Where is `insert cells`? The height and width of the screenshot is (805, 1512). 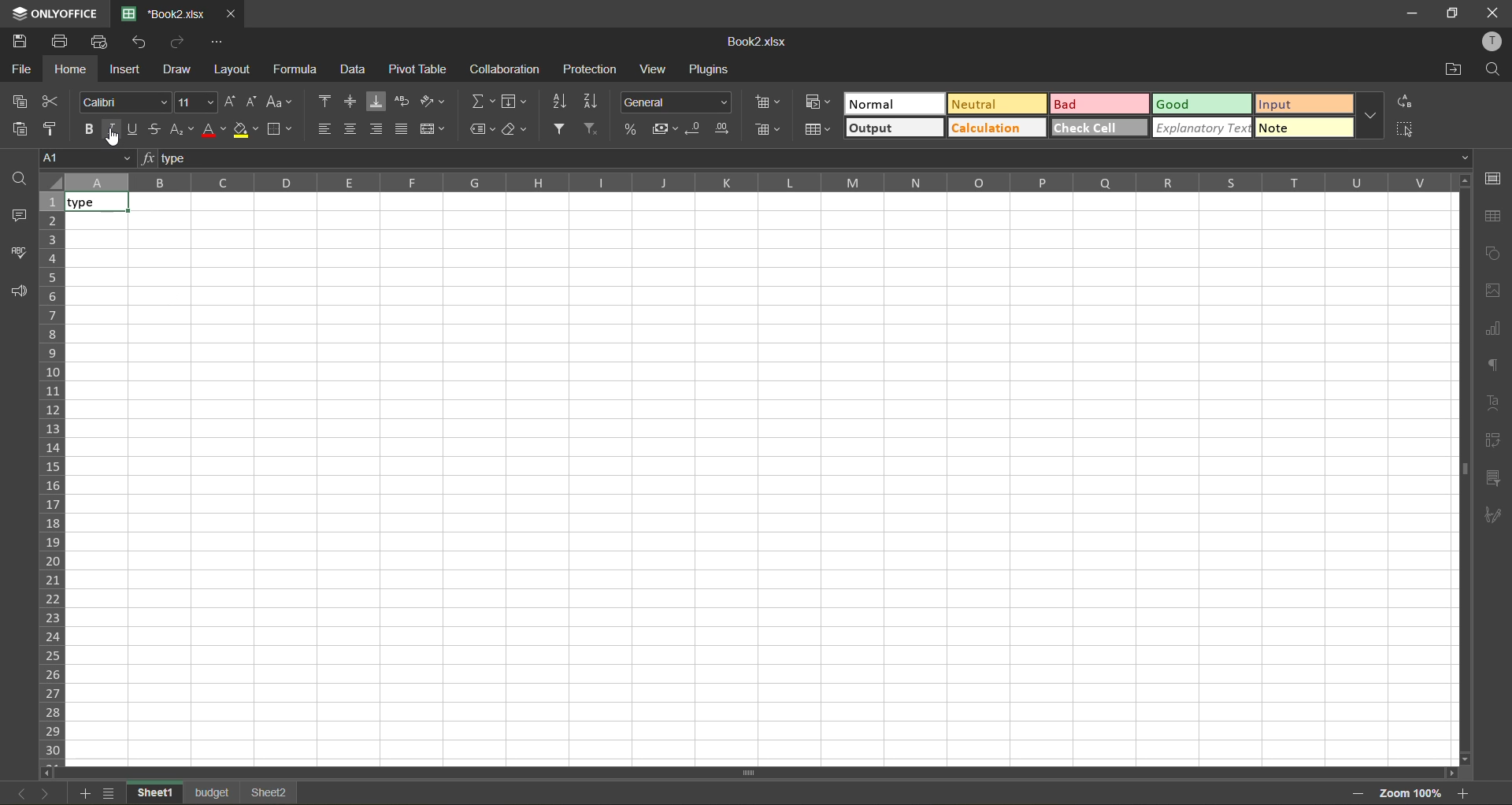 insert cells is located at coordinates (766, 101).